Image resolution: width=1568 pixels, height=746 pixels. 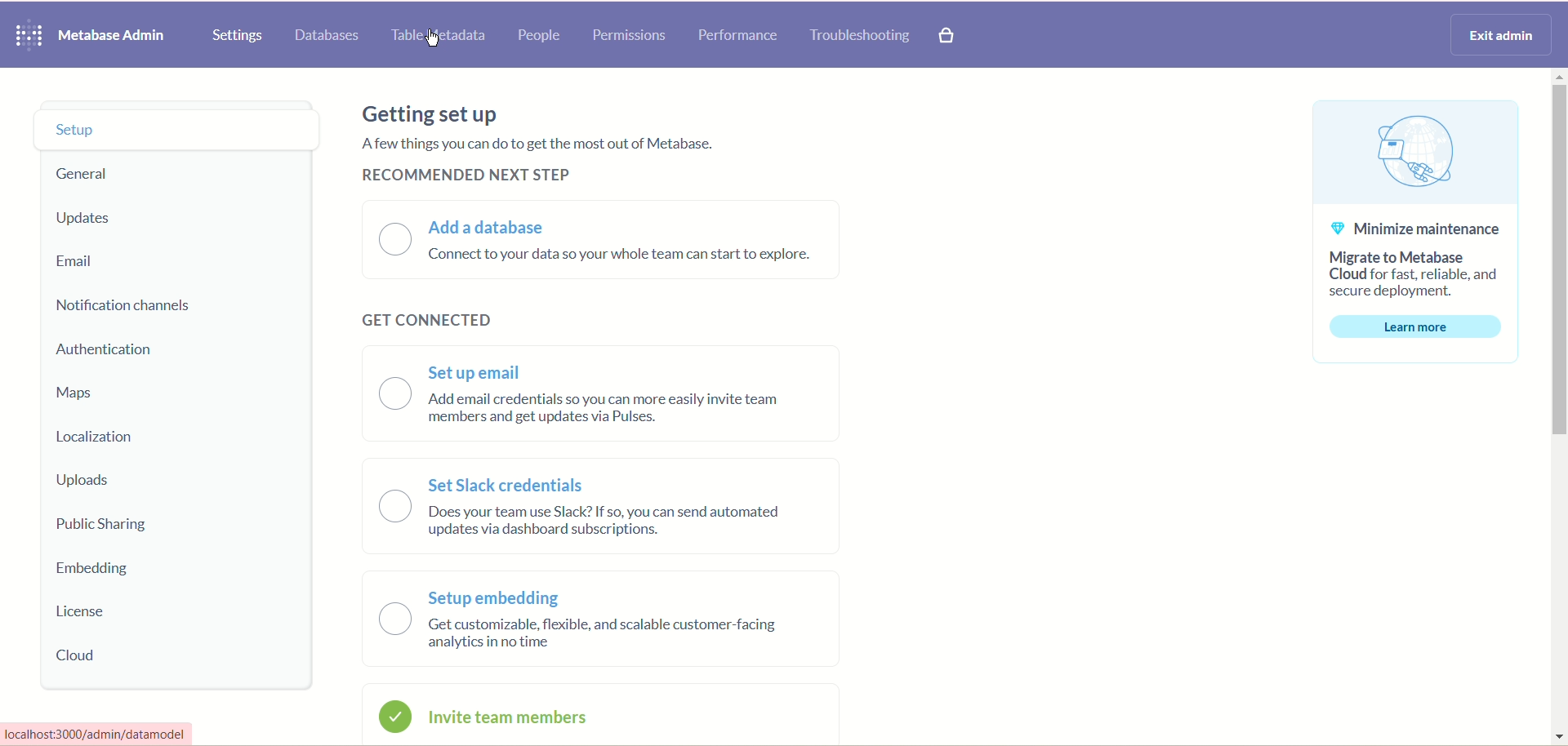 What do you see at coordinates (90, 481) in the screenshot?
I see `uploads` at bounding box center [90, 481].